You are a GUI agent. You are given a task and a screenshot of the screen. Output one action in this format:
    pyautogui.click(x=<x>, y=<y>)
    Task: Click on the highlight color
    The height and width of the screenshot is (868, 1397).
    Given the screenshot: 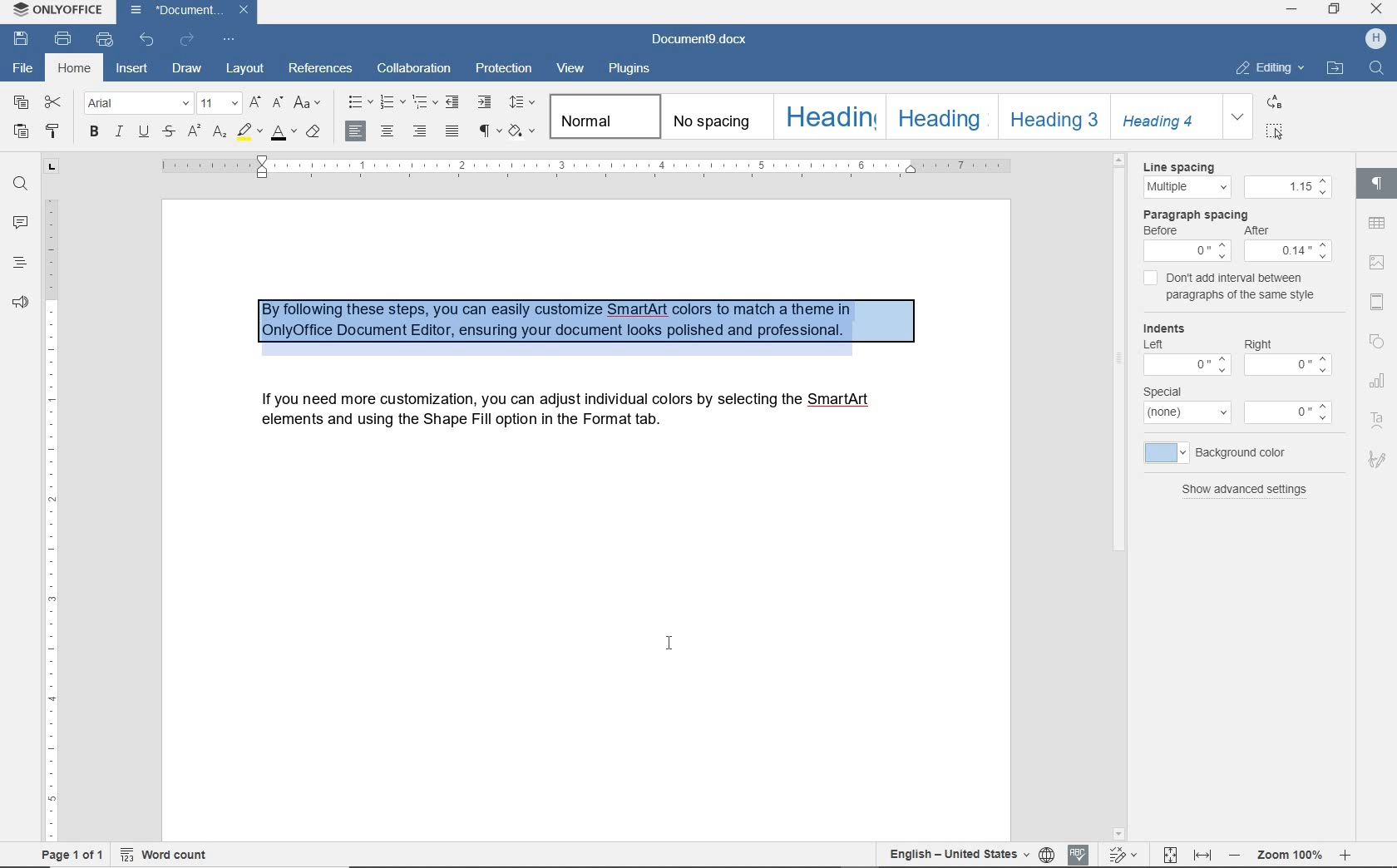 What is the action you would take?
    pyautogui.click(x=249, y=133)
    